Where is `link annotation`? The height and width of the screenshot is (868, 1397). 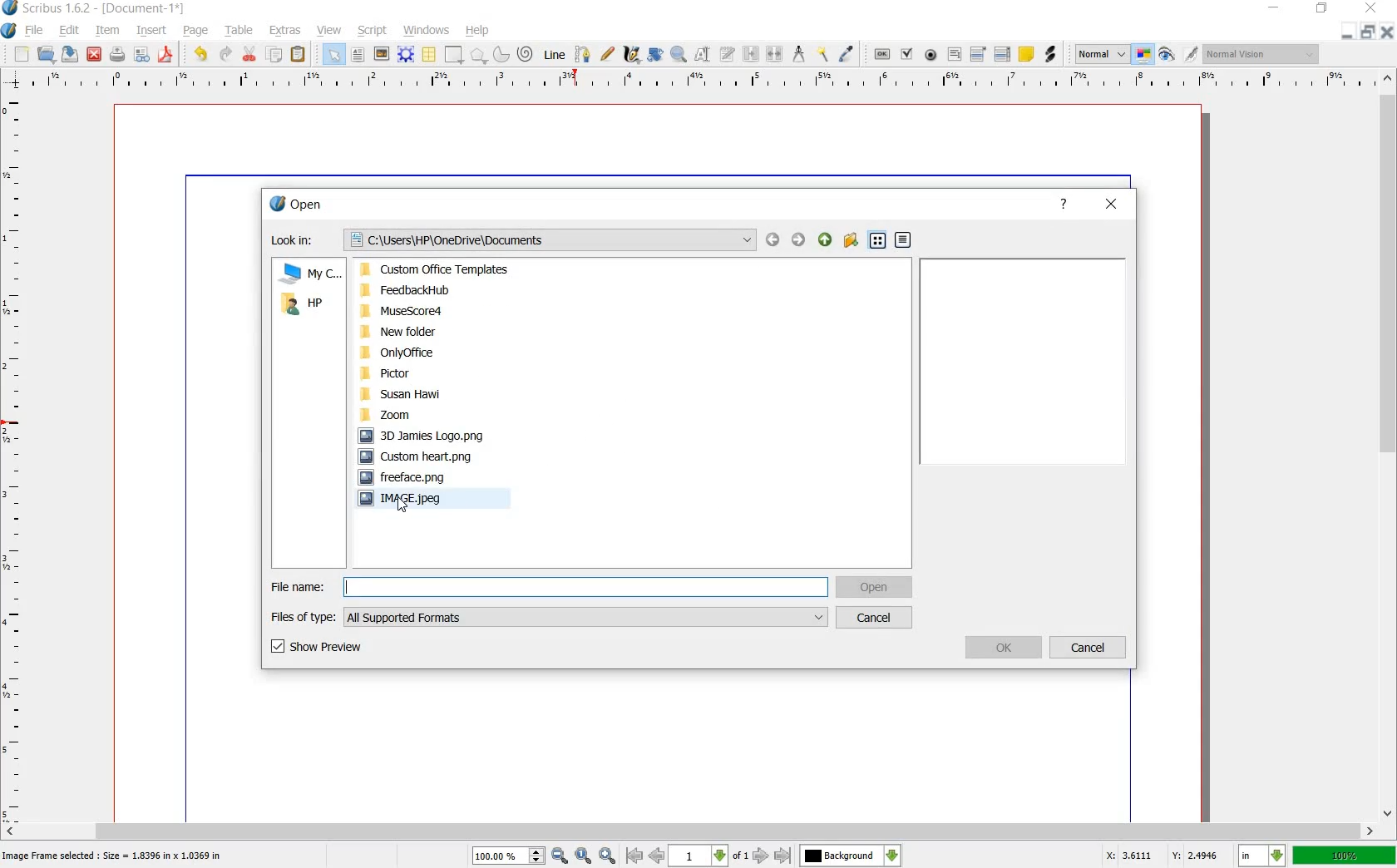
link annotation is located at coordinates (1051, 55).